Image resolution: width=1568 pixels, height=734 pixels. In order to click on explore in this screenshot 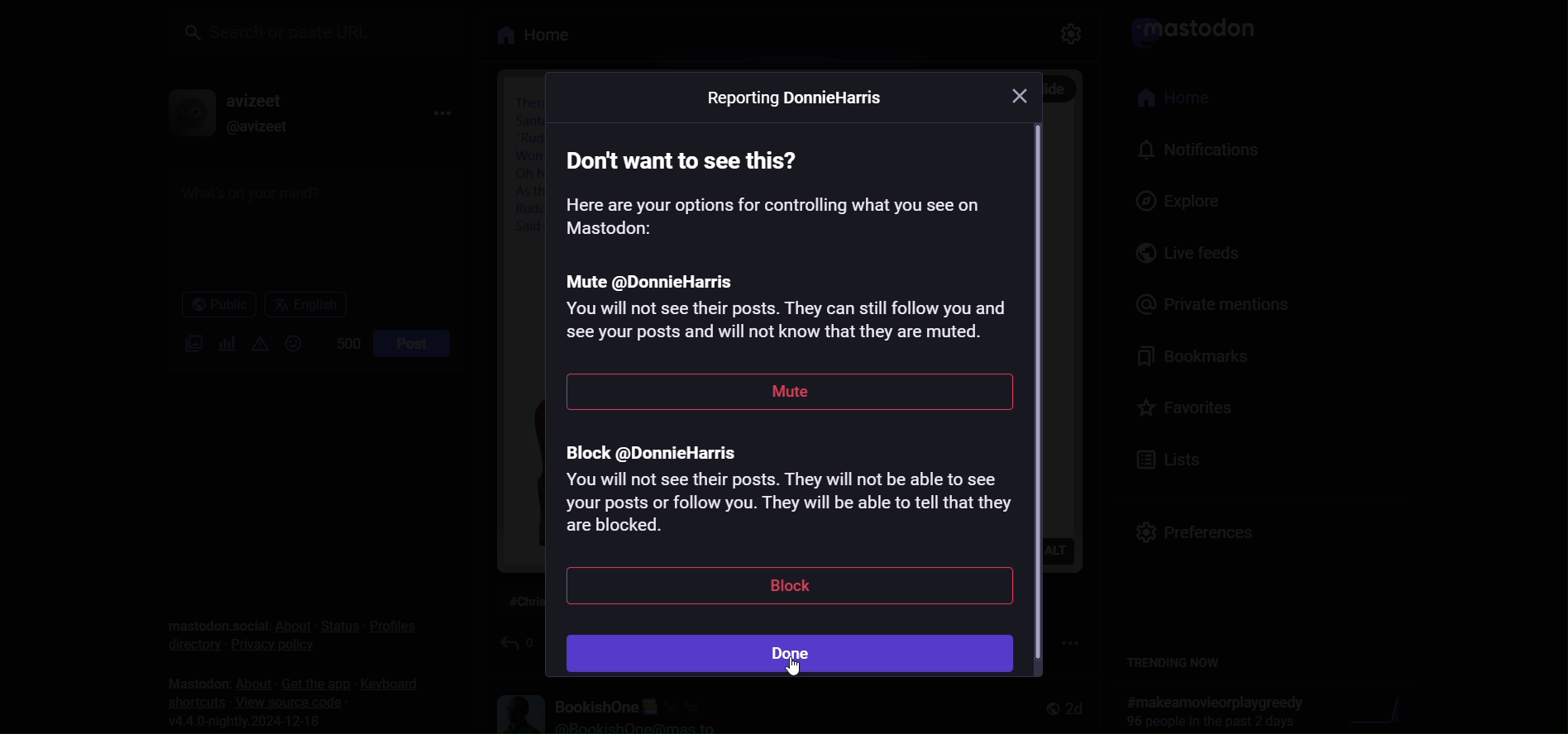, I will do `click(1162, 201)`.